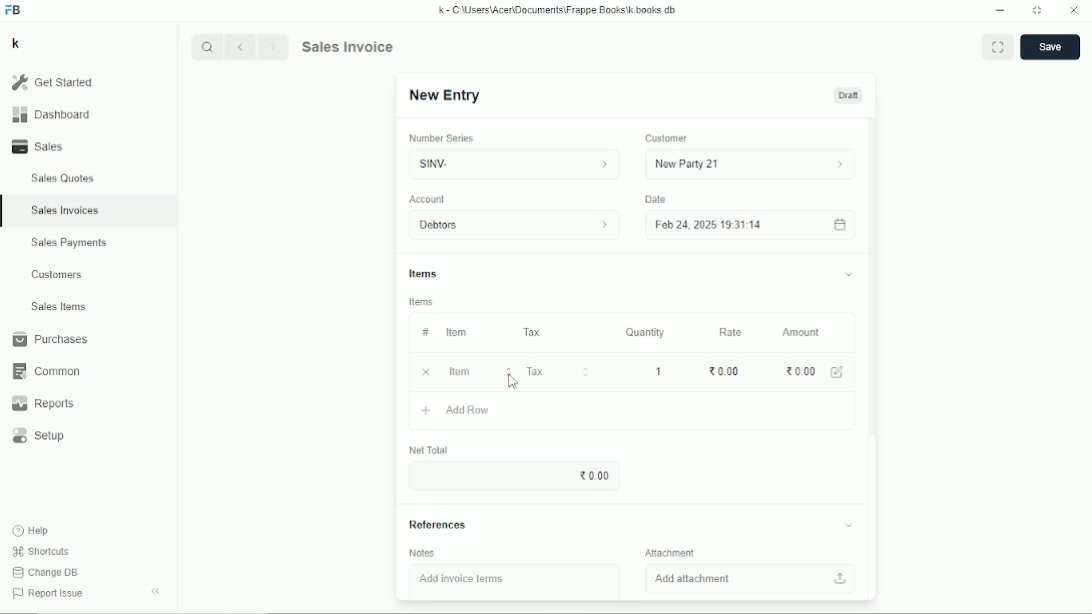 Image resolution: width=1092 pixels, height=614 pixels. Describe the element at coordinates (671, 552) in the screenshot. I see `Attachment` at that location.